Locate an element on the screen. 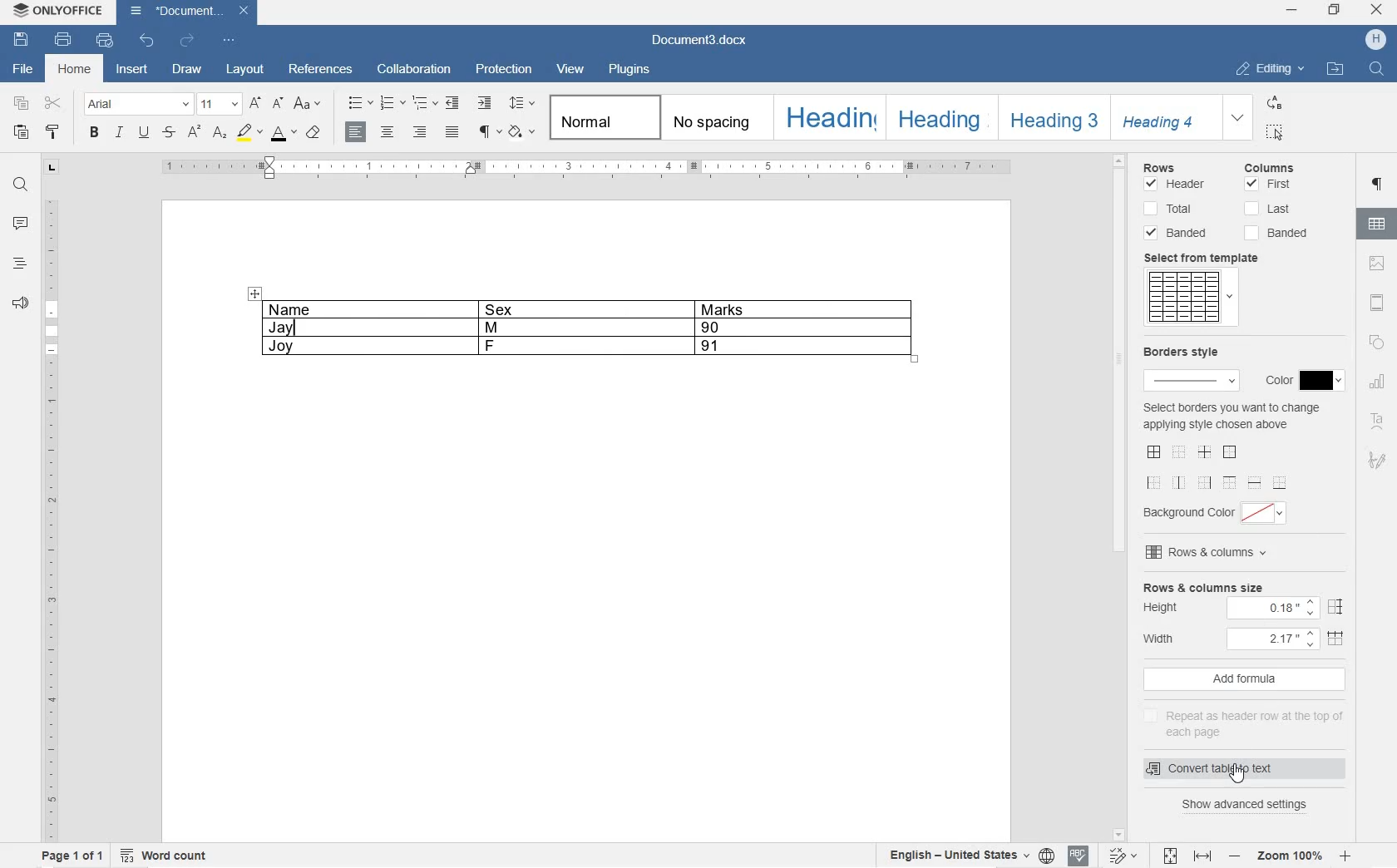  EXPAND FORMATTING STYLE is located at coordinates (1238, 118).